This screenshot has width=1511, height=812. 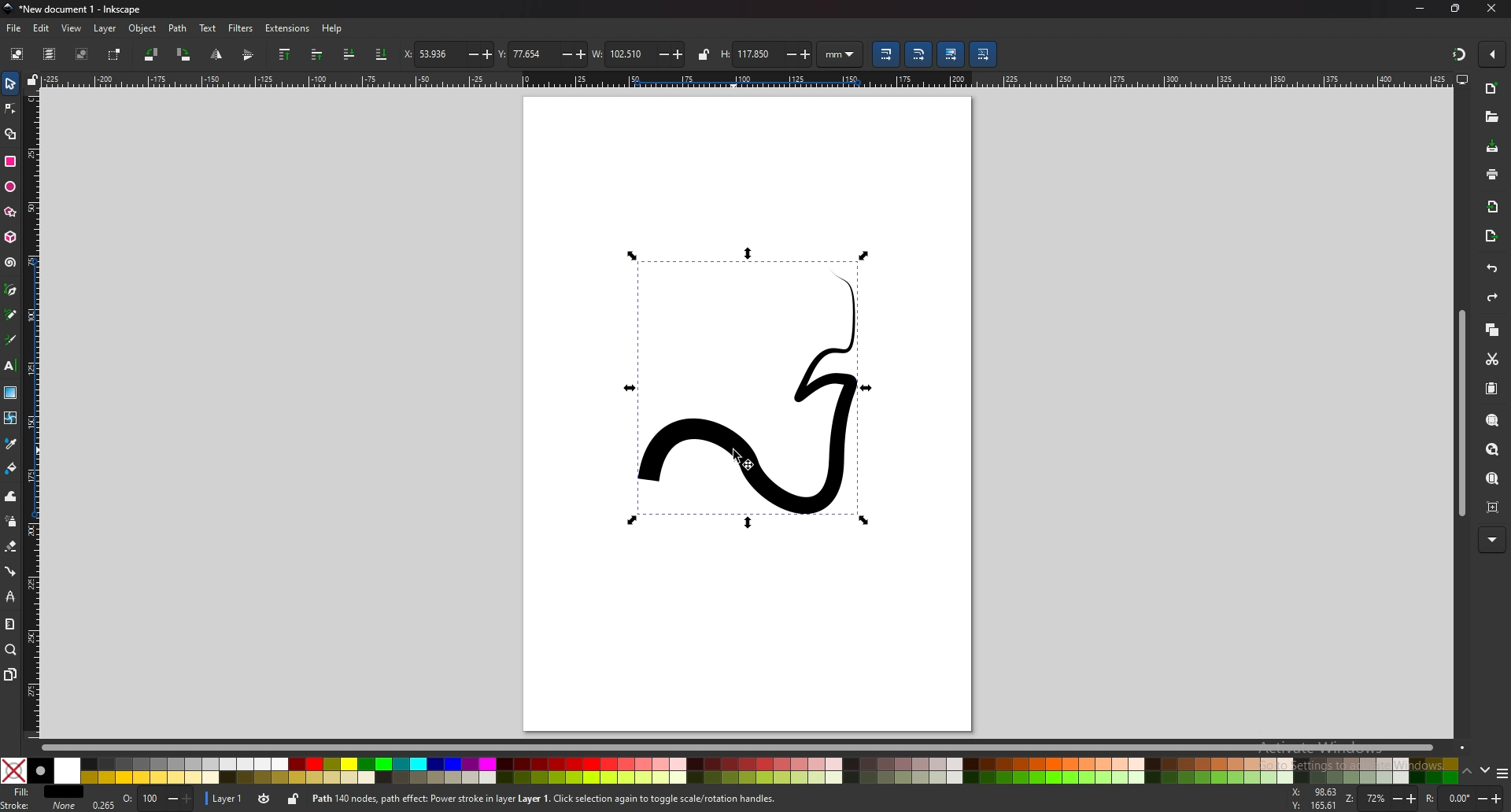 What do you see at coordinates (1492, 175) in the screenshot?
I see `print` at bounding box center [1492, 175].